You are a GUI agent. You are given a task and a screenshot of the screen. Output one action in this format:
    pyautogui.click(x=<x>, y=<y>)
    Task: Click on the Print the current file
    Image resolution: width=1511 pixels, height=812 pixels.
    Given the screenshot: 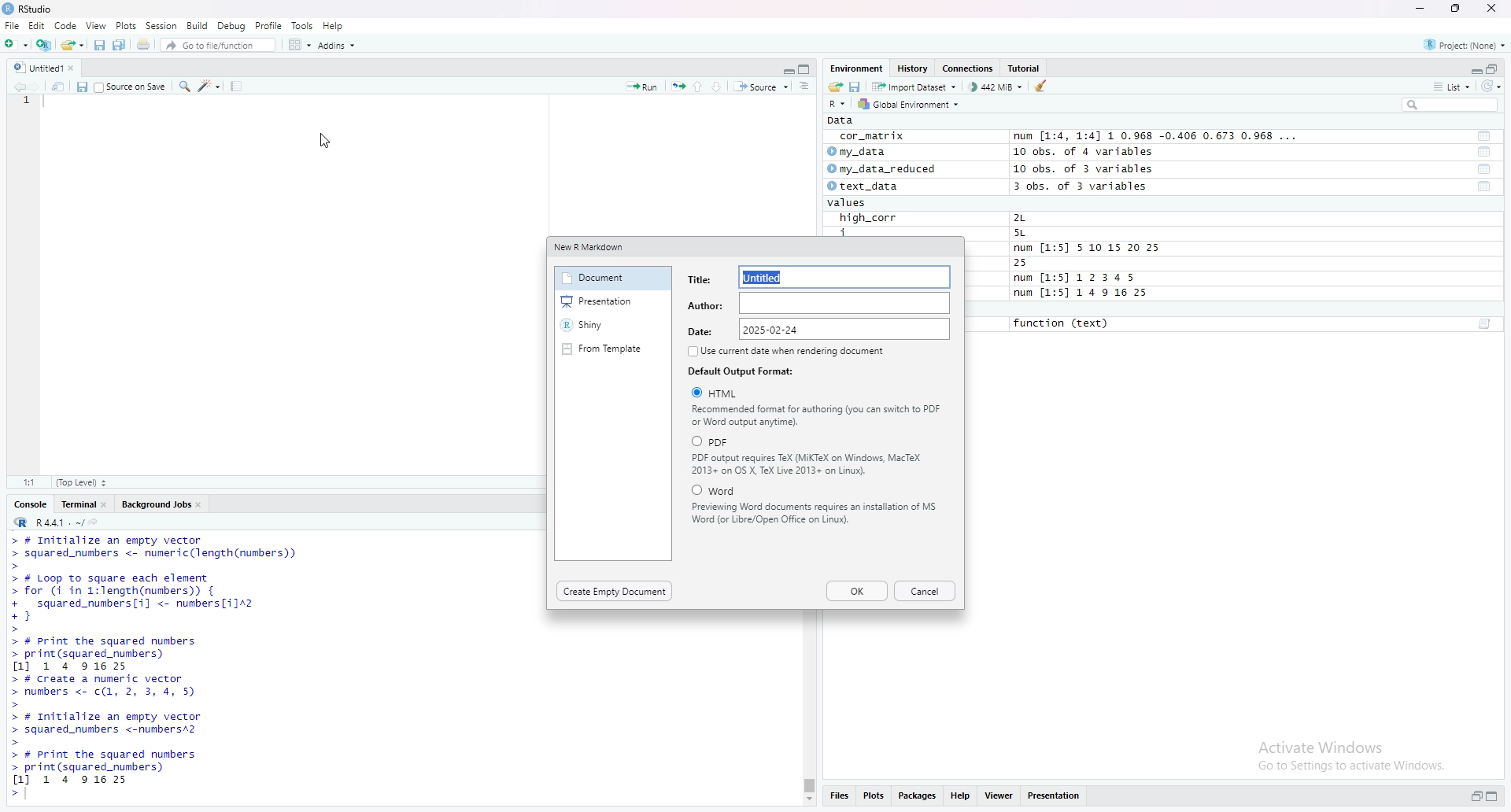 What is the action you would take?
    pyautogui.click(x=143, y=43)
    